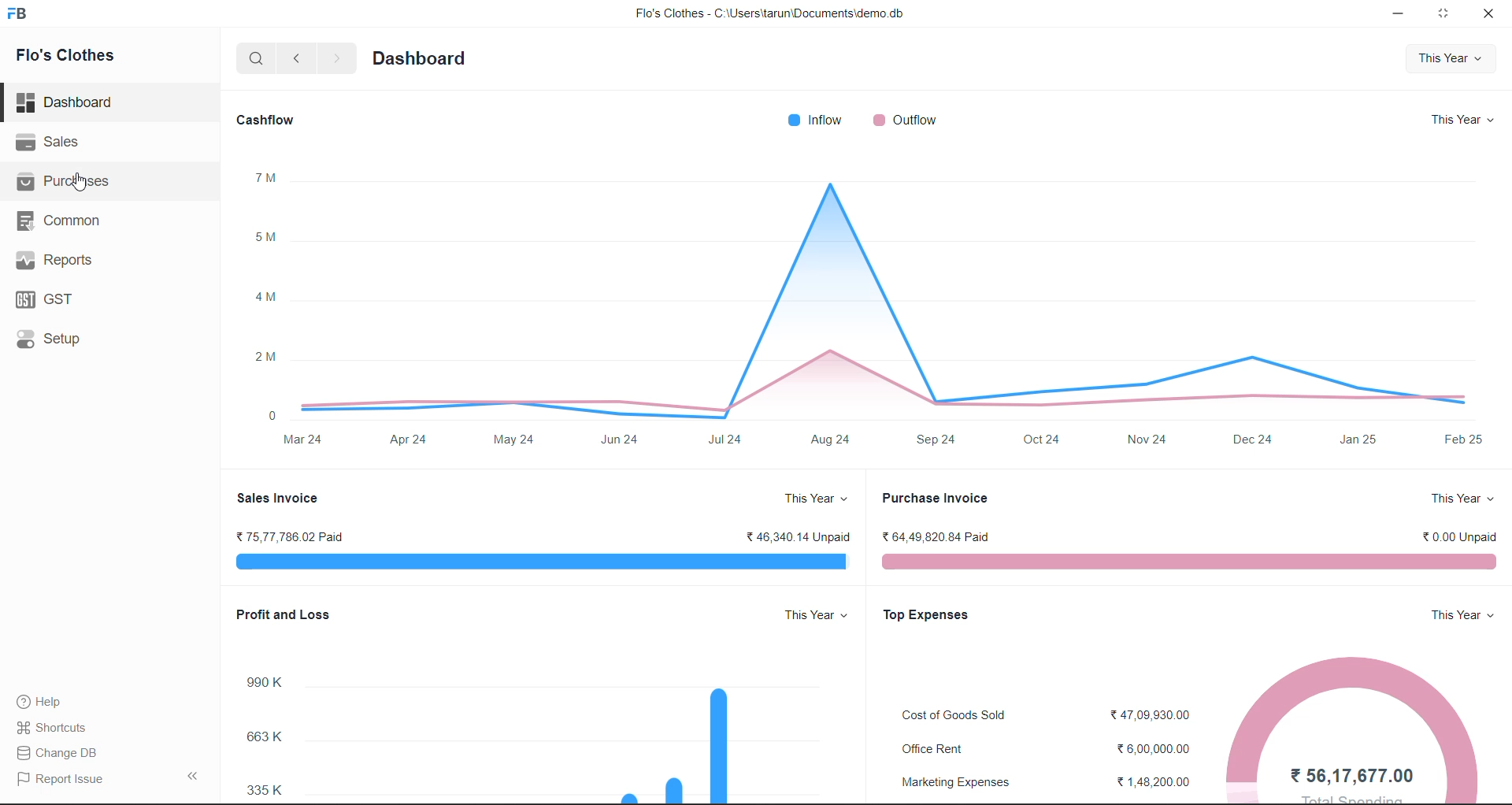  What do you see at coordinates (1453, 537) in the screenshot?
I see `₹ 0.00 Unpaid` at bounding box center [1453, 537].